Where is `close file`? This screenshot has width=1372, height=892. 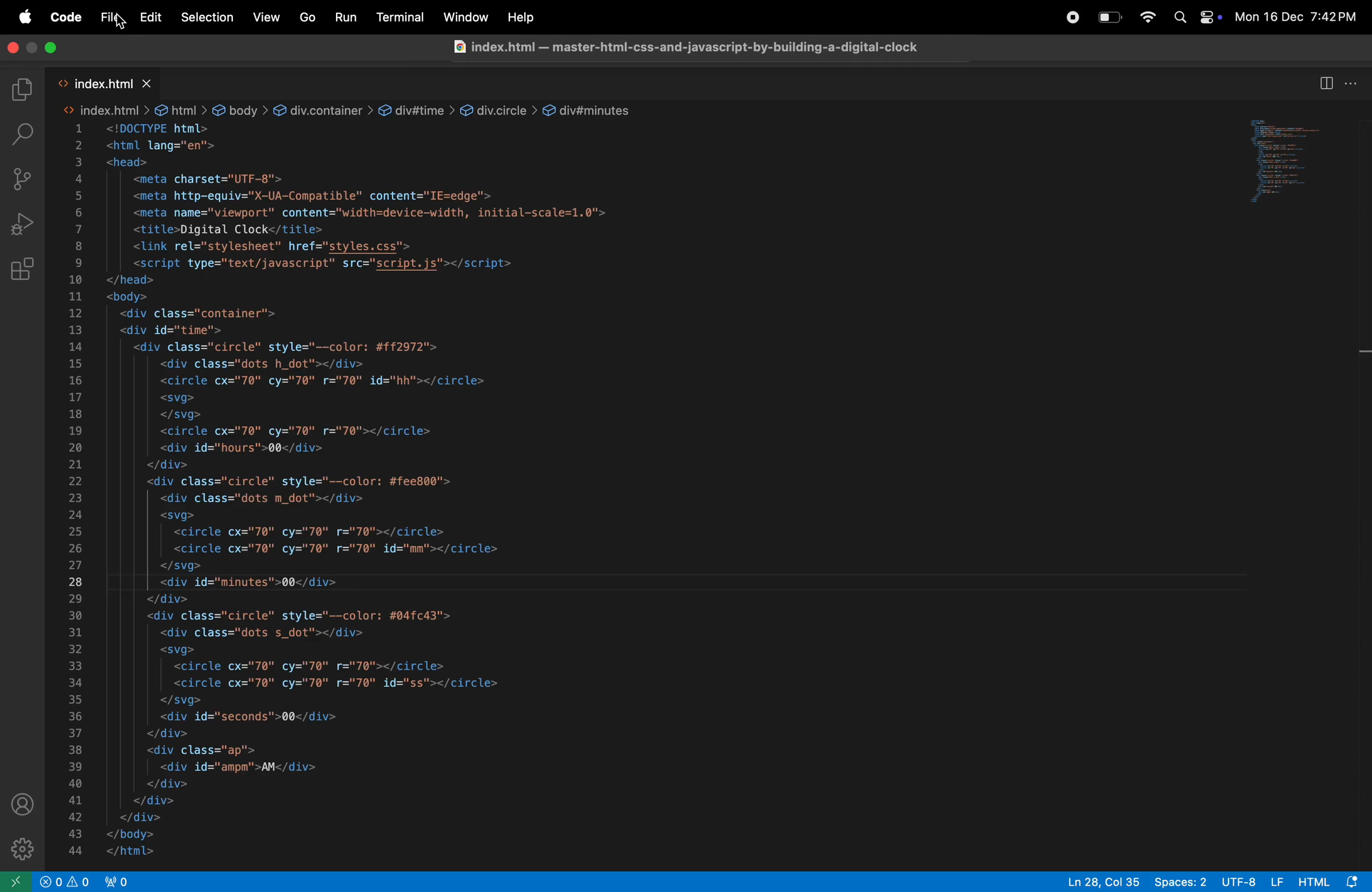
close file is located at coordinates (150, 84).